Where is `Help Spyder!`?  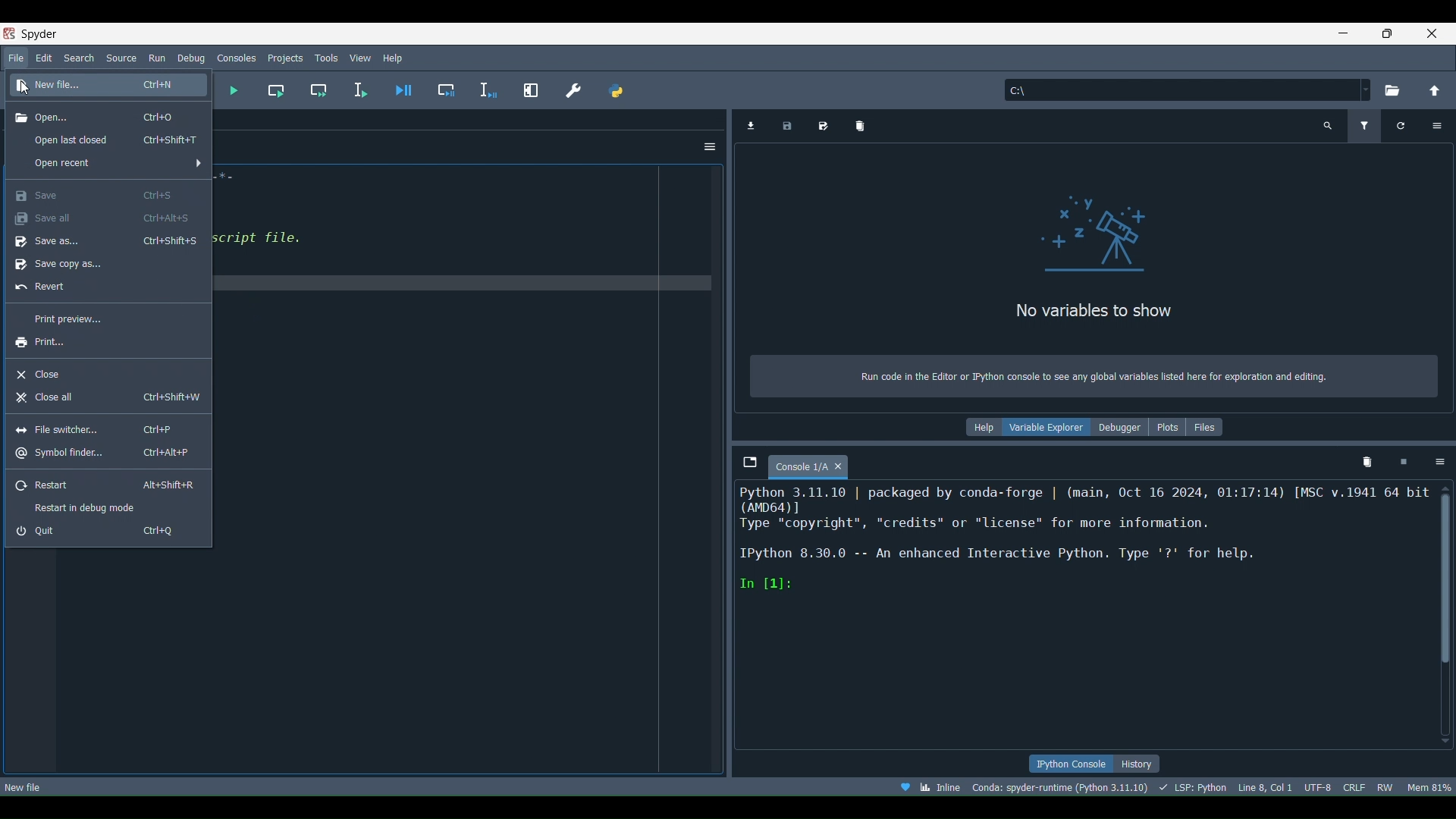 Help Spyder! is located at coordinates (906, 787).